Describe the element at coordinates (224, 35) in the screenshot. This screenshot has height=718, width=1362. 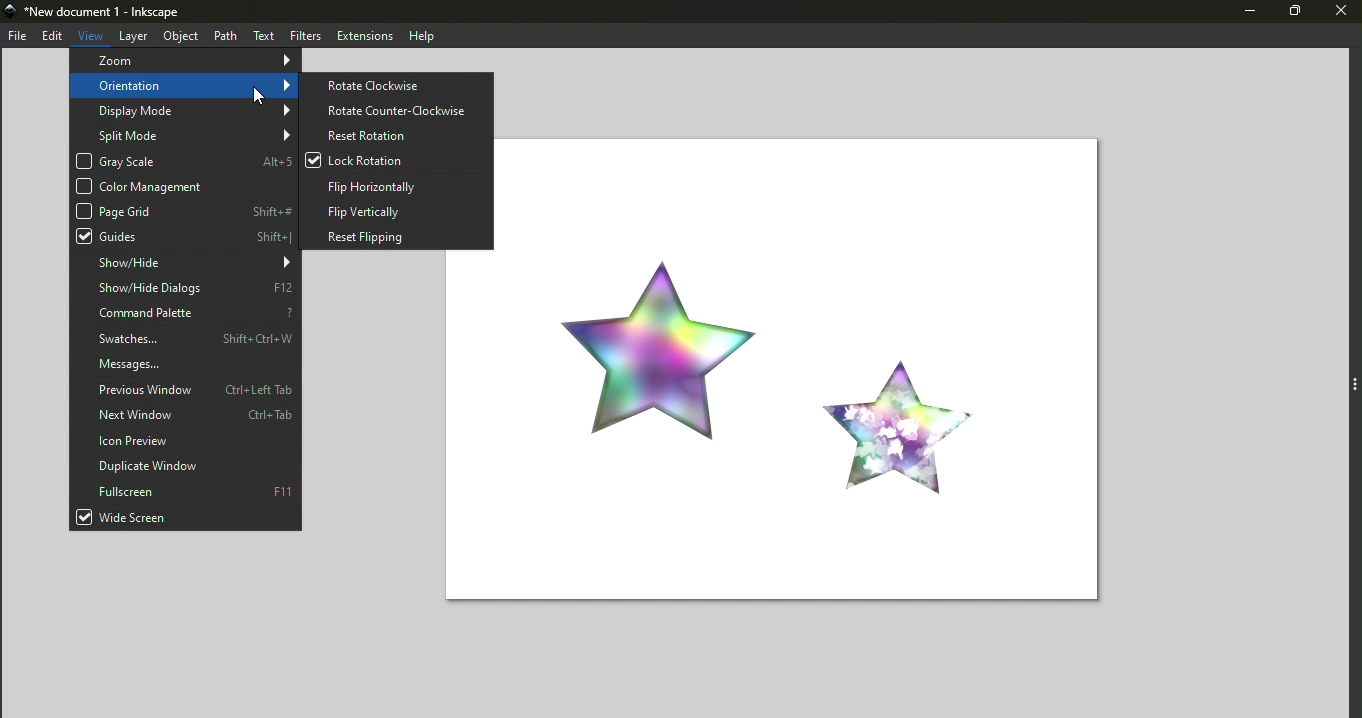
I see `Path` at that location.